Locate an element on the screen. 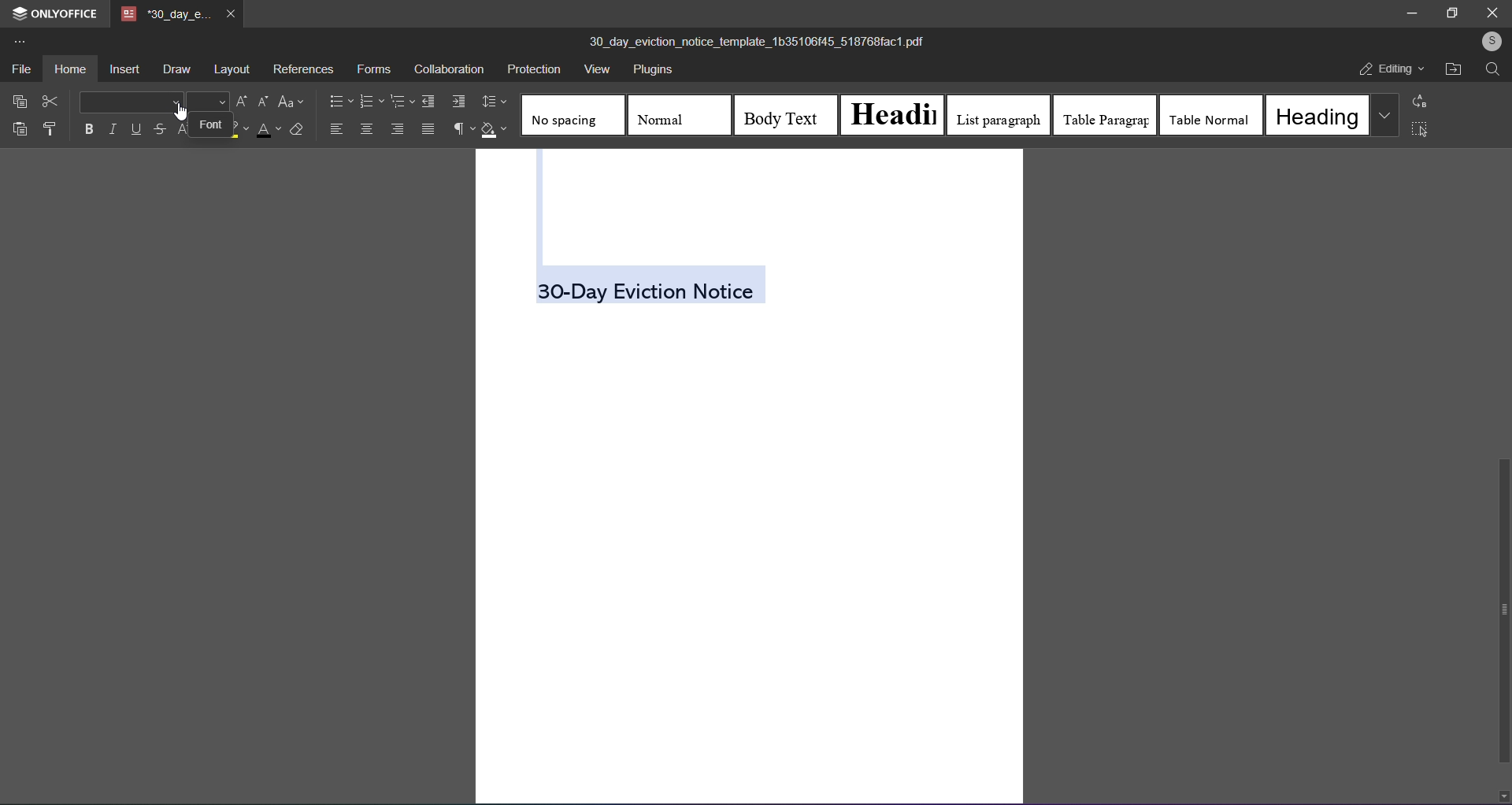 This screenshot has width=1512, height=805. list paragraph is located at coordinates (999, 116).